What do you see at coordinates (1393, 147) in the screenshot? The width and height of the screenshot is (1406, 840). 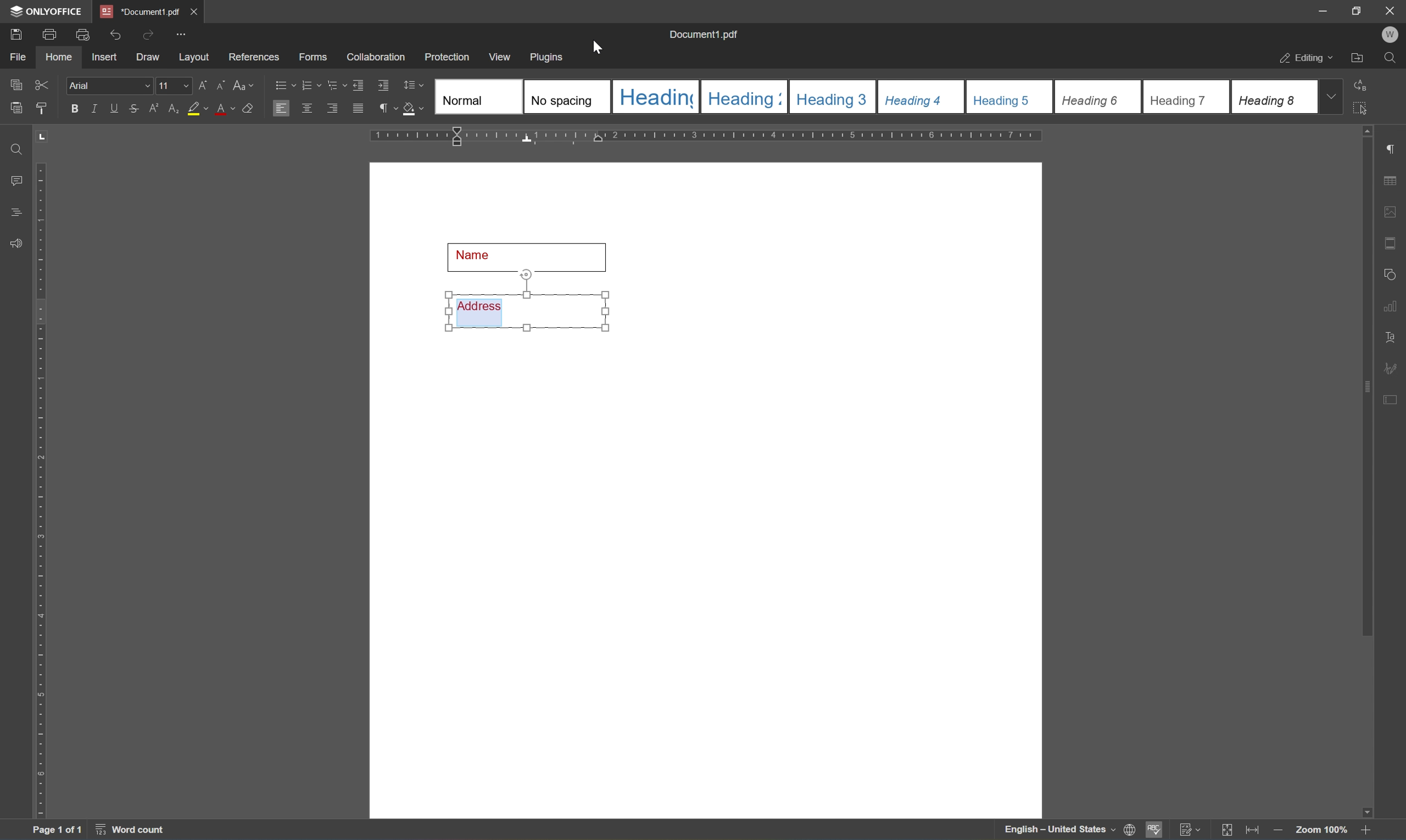 I see `paragraph settings` at bounding box center [1393, 147].